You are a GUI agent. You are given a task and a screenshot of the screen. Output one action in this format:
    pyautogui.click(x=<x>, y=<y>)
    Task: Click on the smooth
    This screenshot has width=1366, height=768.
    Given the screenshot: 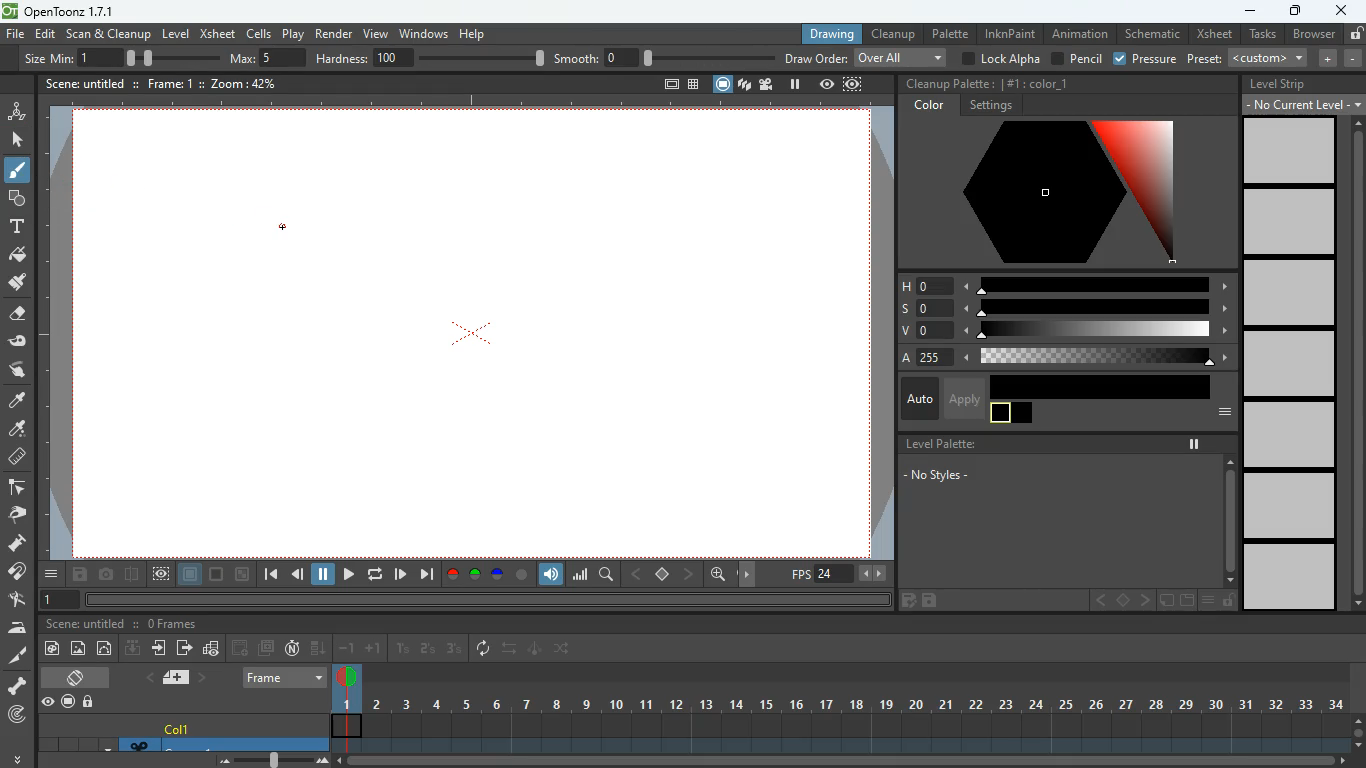 What is the action you would take?
    pyautogui.click(x=665, y=57)
    